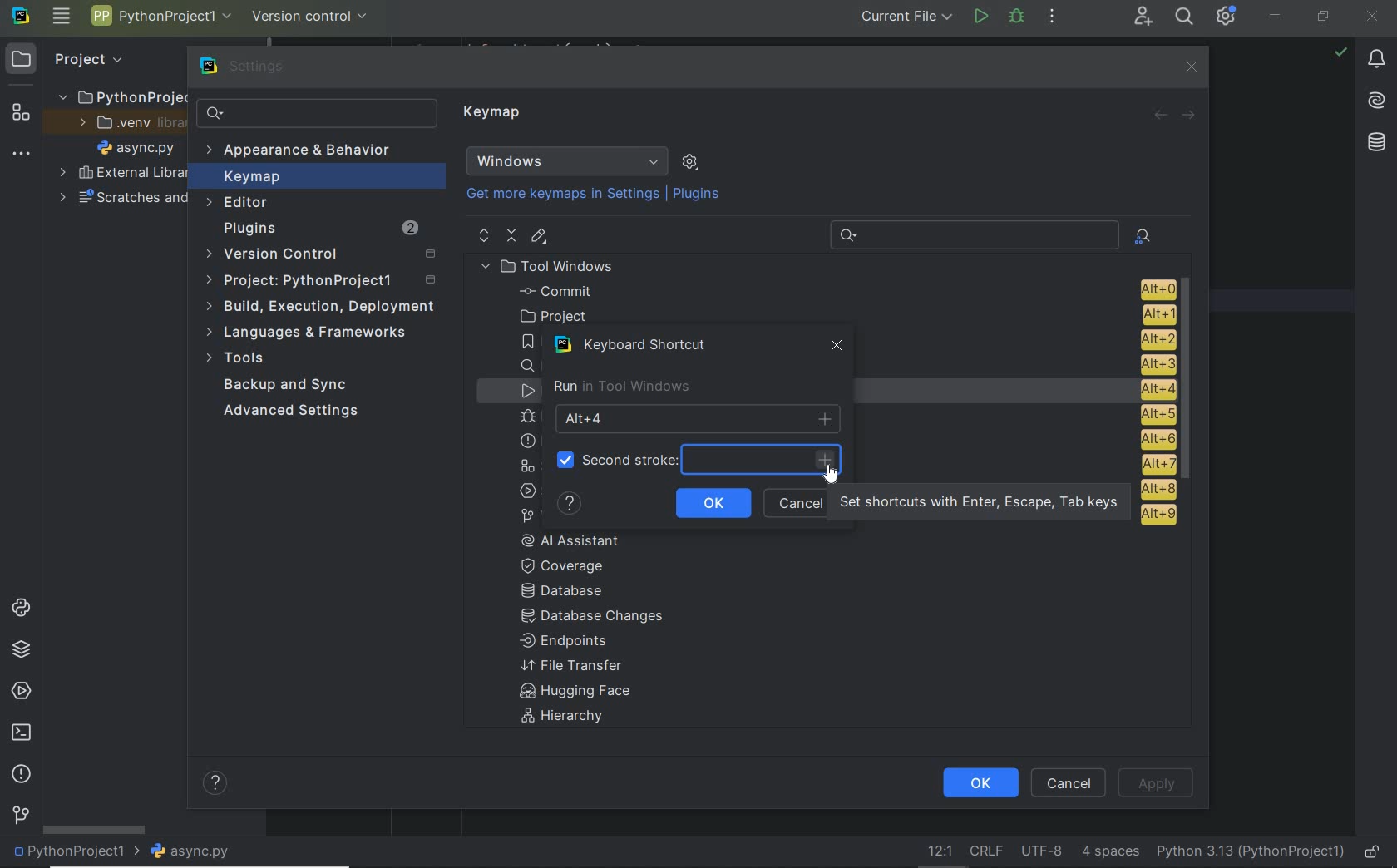 Image resolution: width=1397 pixels, height=868 pixels. I want to click on show scheme actions, so click(690, 161).